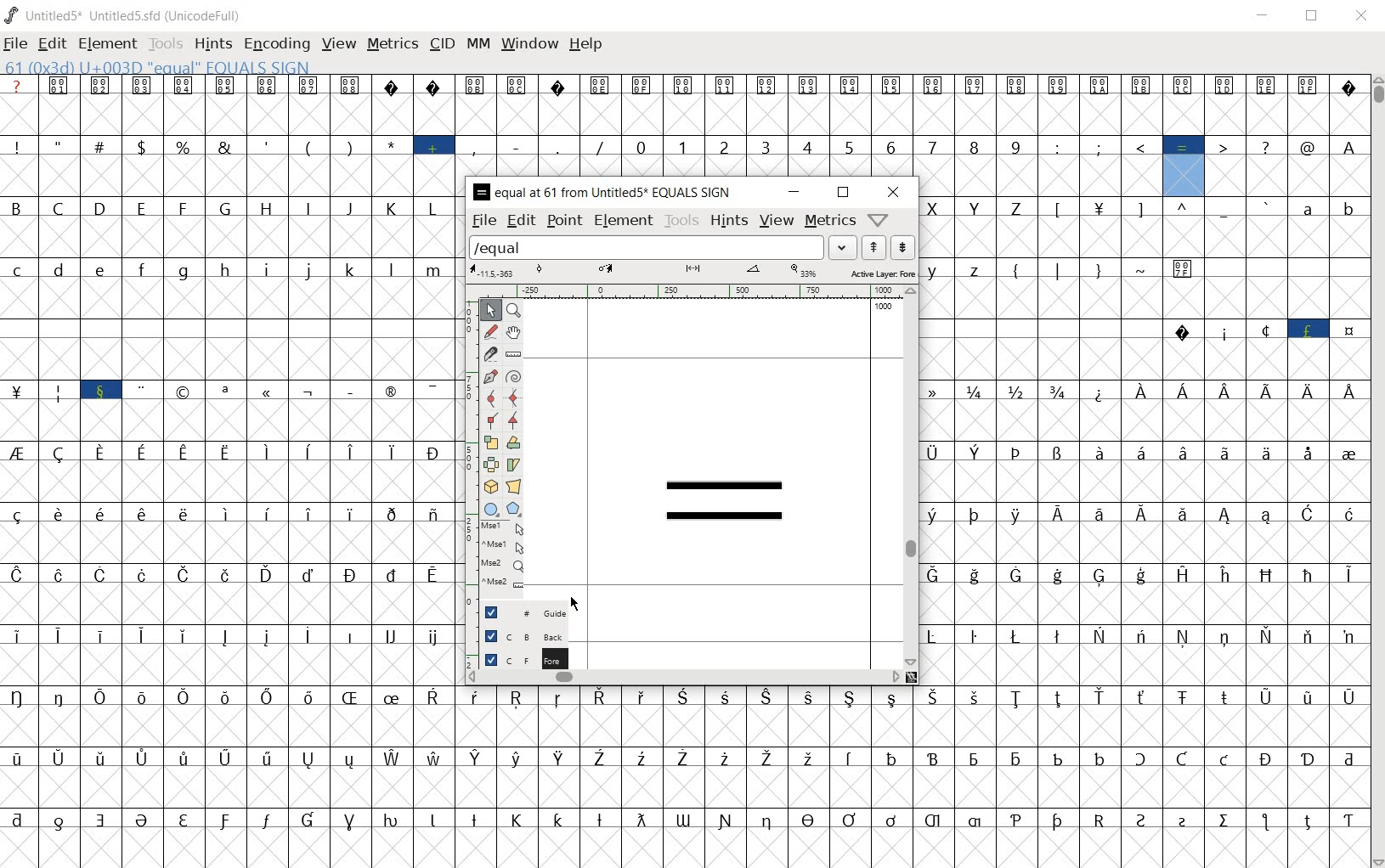 The height and width of the screenshot is (868, 1385). I want to click on FOREGROUND, so click(516, 657).